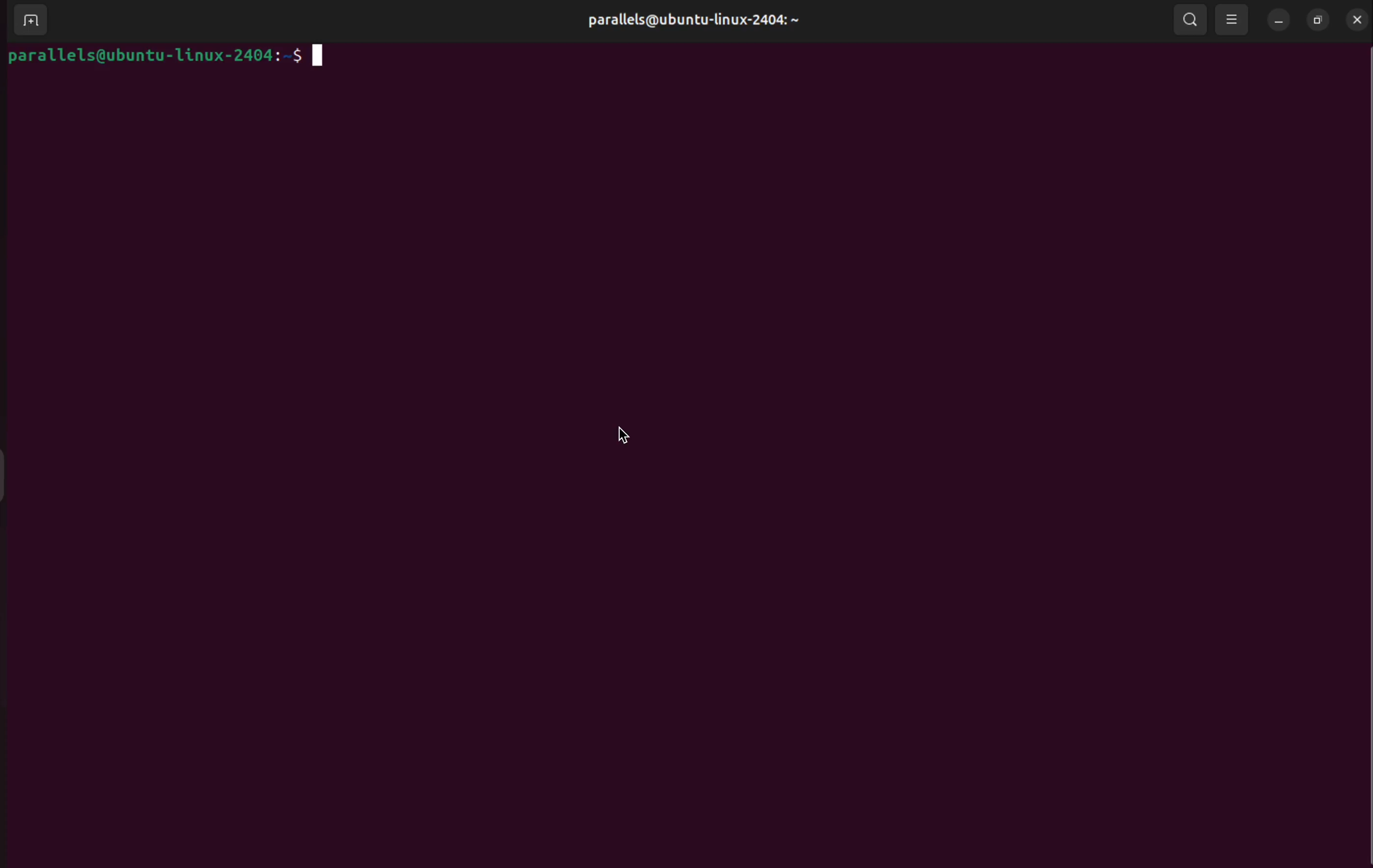 Image resolution: width=1373 pixels, height=868 pixels. Describe the element at coordinates (1235, 17) in the screenshot. I see `view options` at that location.